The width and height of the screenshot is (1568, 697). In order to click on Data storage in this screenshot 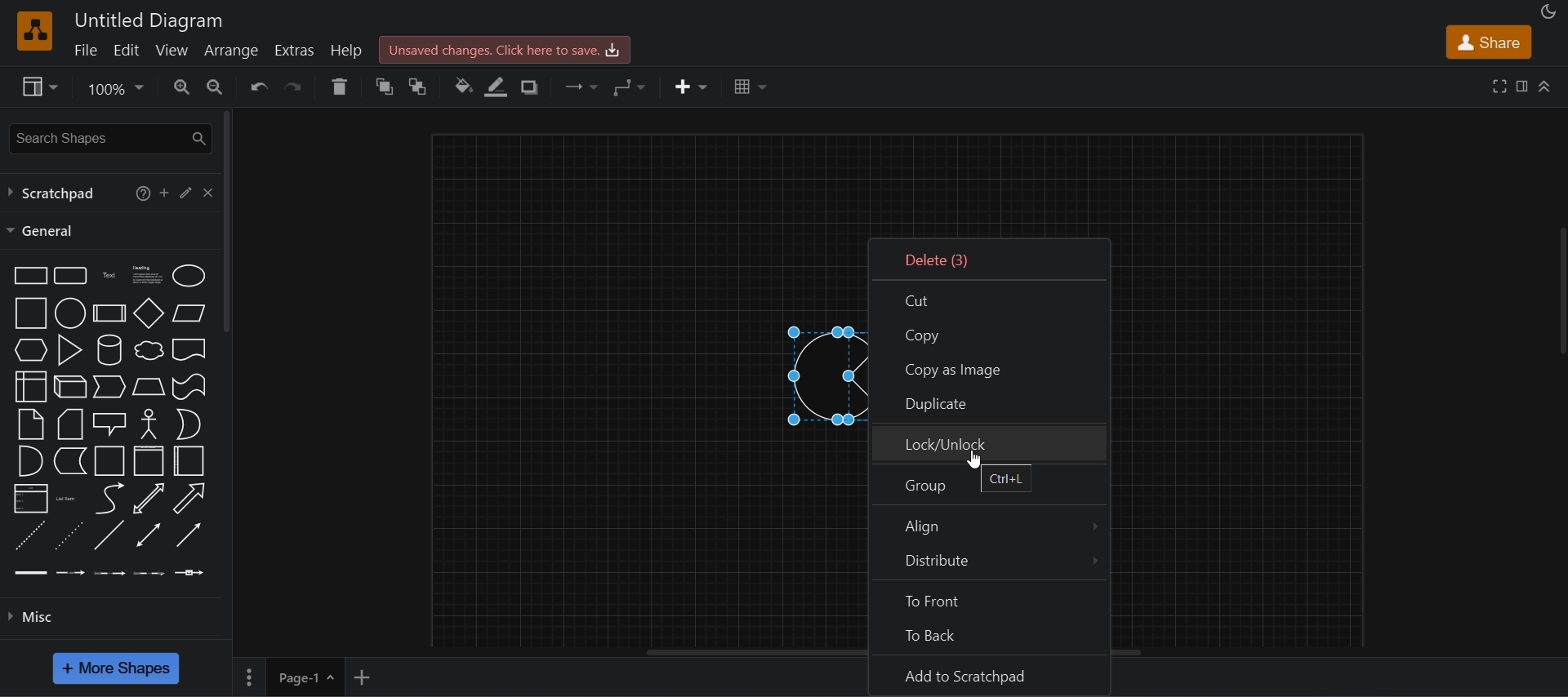, I will do `click(69, 460)`.